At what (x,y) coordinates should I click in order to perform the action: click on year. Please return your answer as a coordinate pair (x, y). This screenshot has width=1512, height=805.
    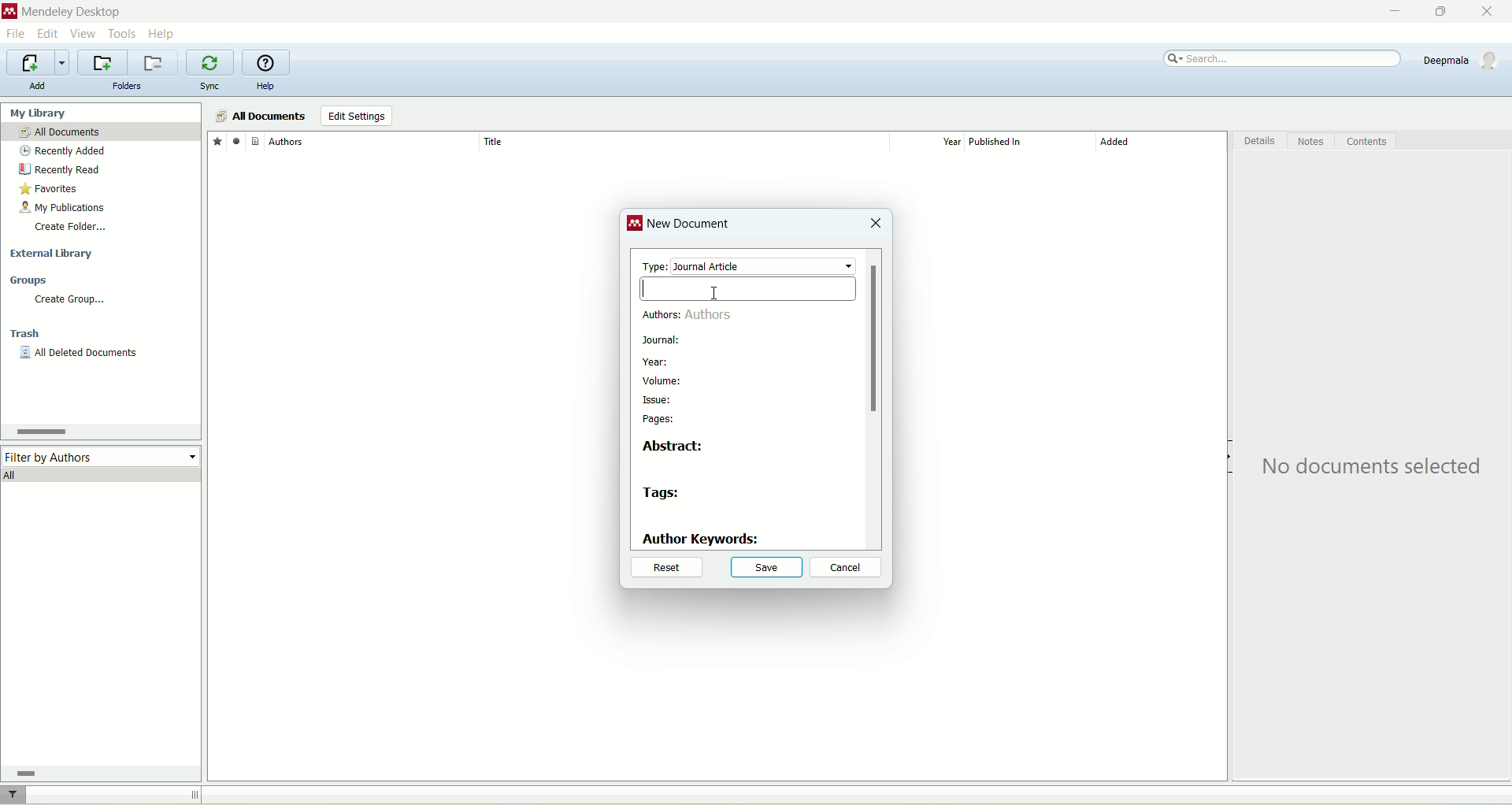
    Looking at the image, I should click on (932, 142).